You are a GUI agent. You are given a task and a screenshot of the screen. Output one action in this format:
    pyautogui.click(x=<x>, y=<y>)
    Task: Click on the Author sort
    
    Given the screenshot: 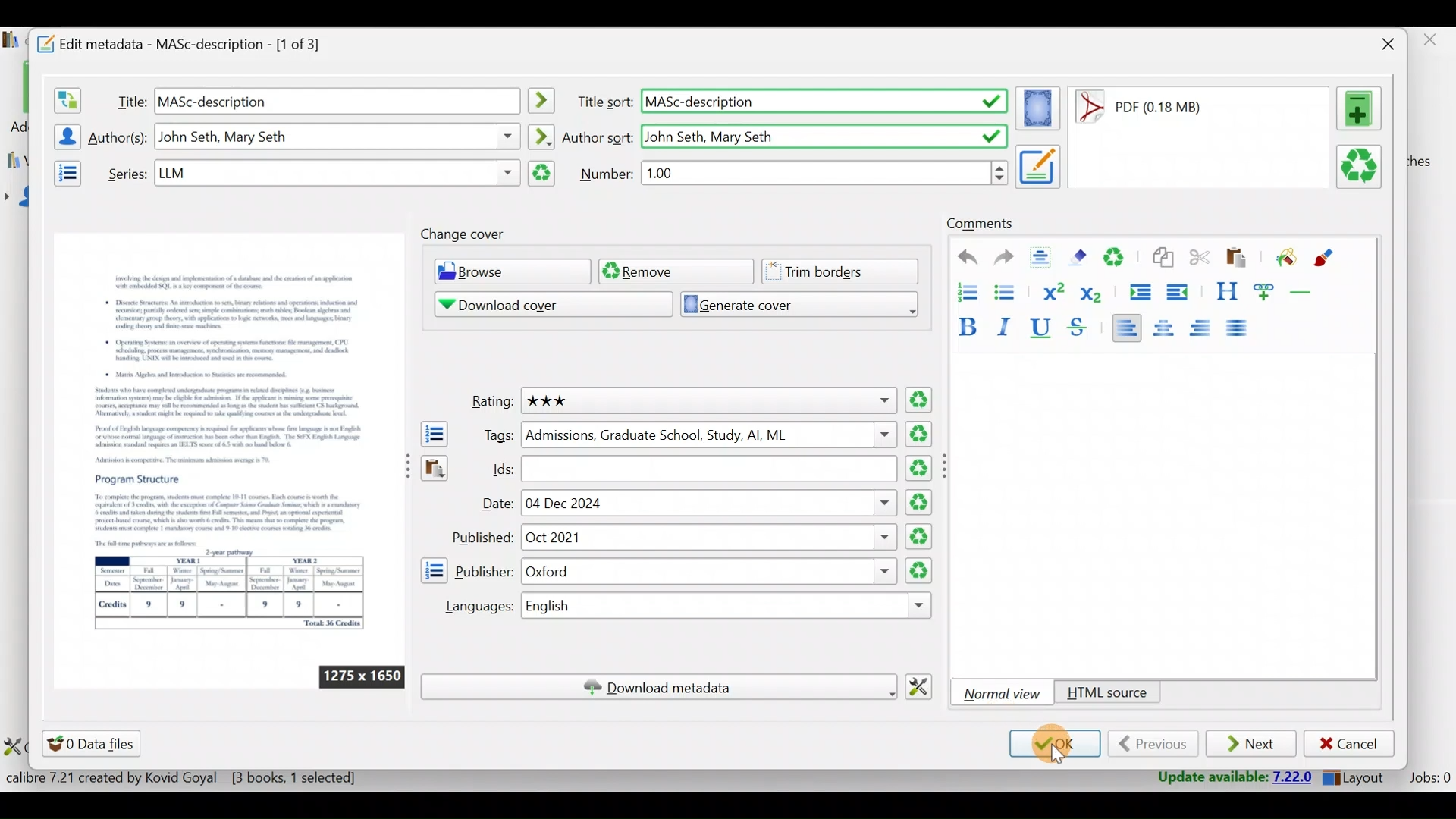 What is the action you would take?
    pyautogui.click(x=541, y=134)
    